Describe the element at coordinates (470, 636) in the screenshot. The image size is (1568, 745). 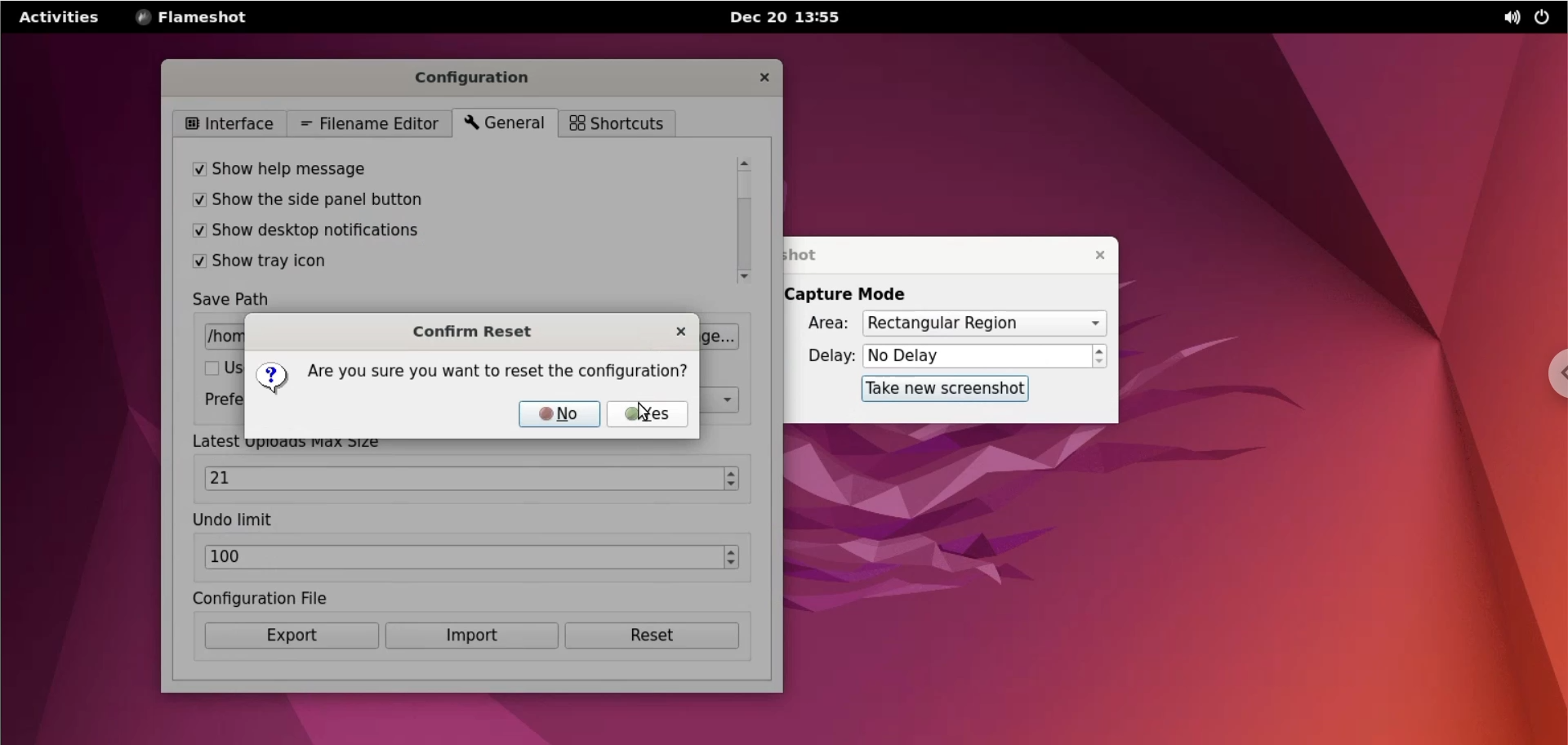
I see `import ` at that location.